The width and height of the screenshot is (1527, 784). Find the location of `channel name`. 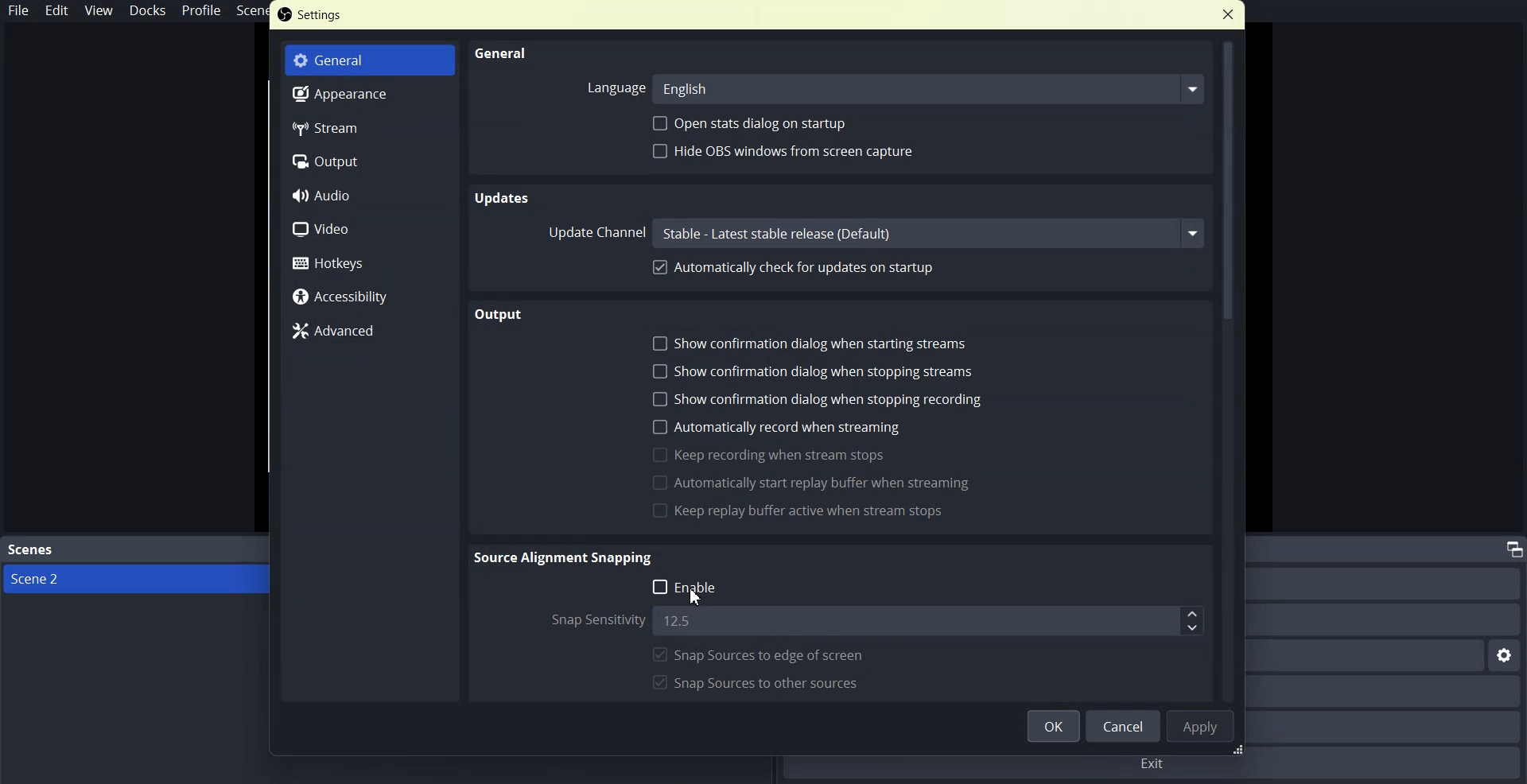

channel name is located at coordinates (931, 233).